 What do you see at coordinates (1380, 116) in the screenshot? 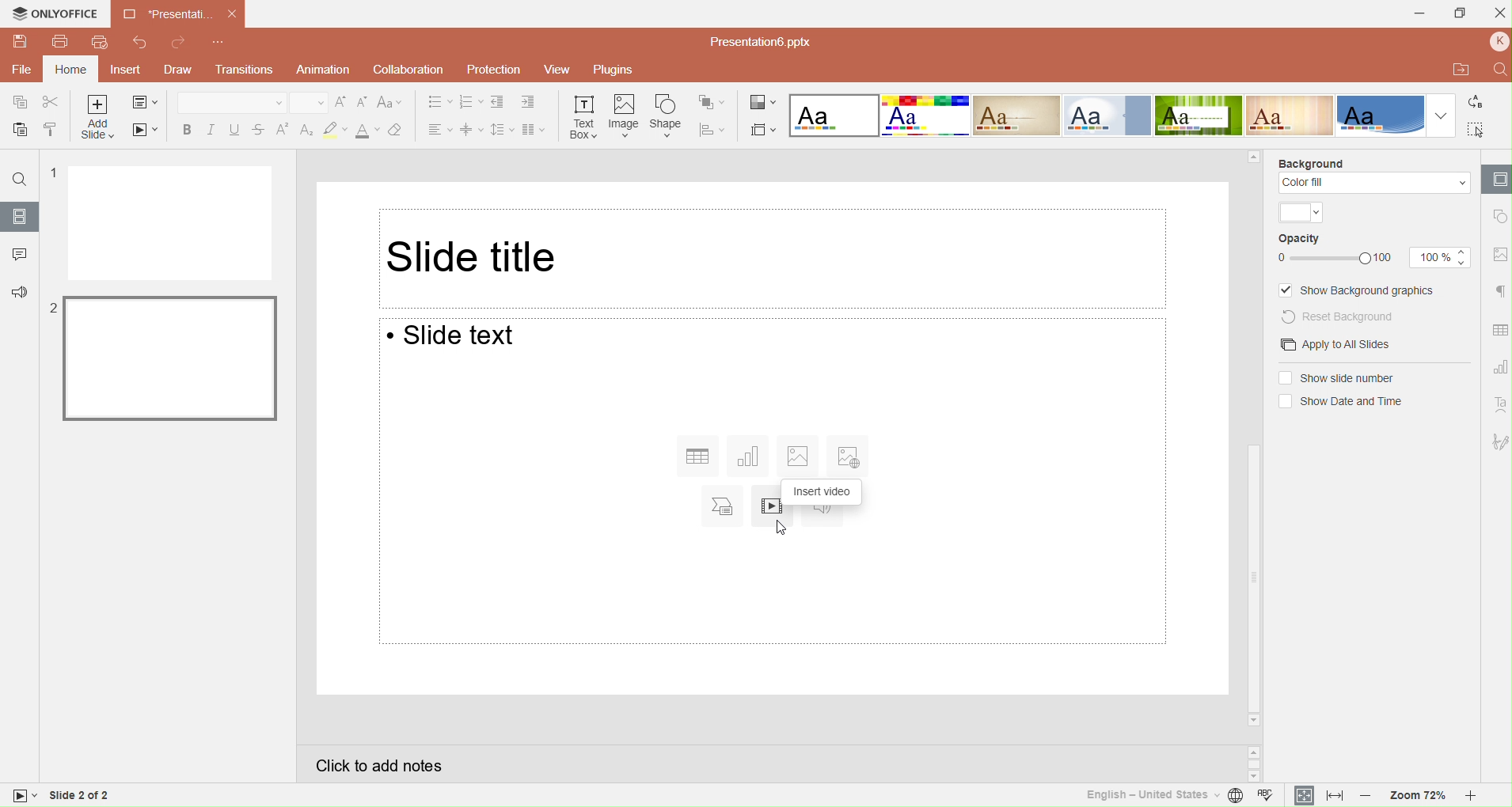
I see `Office` at bounding box center [1380, 116].